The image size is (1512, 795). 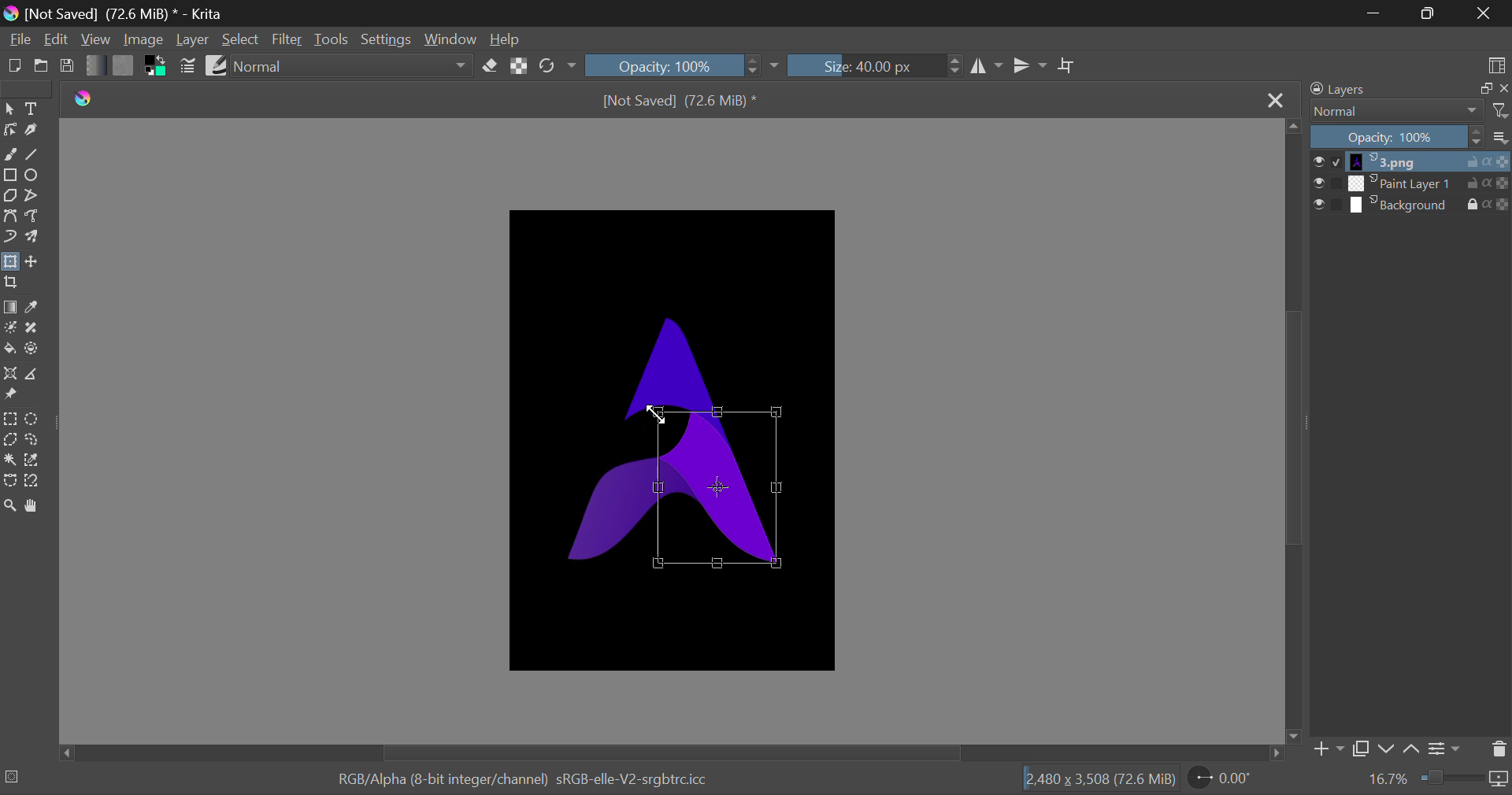 I want to click on Layers Docker Tab, so click(x=1345, y=90).